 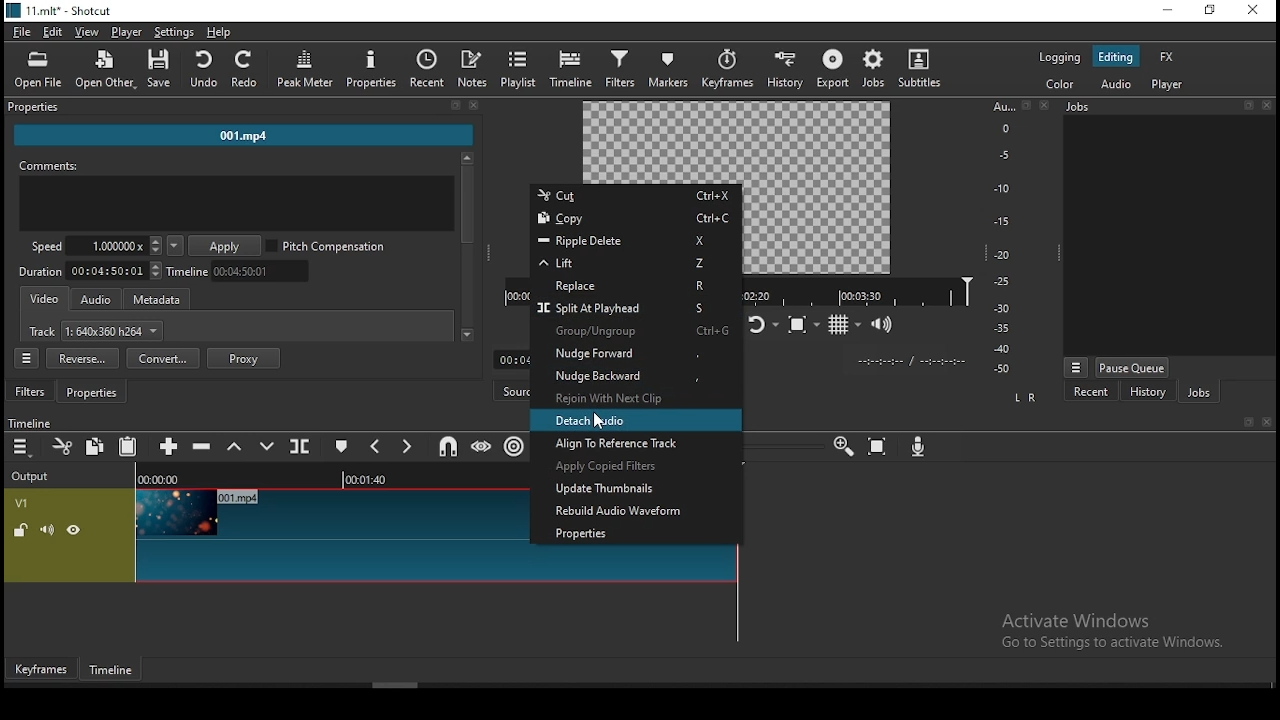 I want to click on notes, so click(x=474, y=70).